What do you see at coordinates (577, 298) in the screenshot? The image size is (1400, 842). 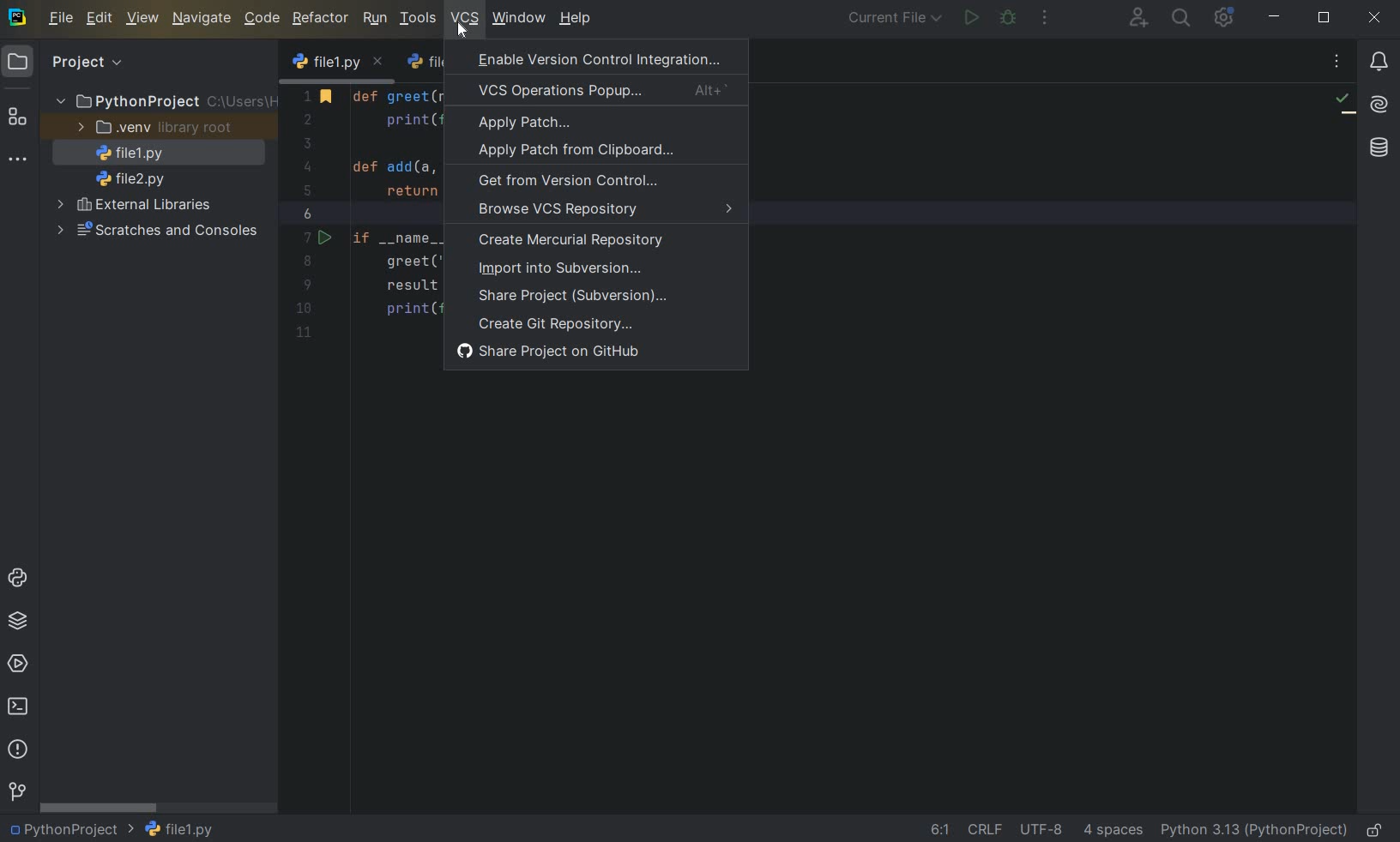 I see `share project (subversion)` at bounding box center [577, 298].